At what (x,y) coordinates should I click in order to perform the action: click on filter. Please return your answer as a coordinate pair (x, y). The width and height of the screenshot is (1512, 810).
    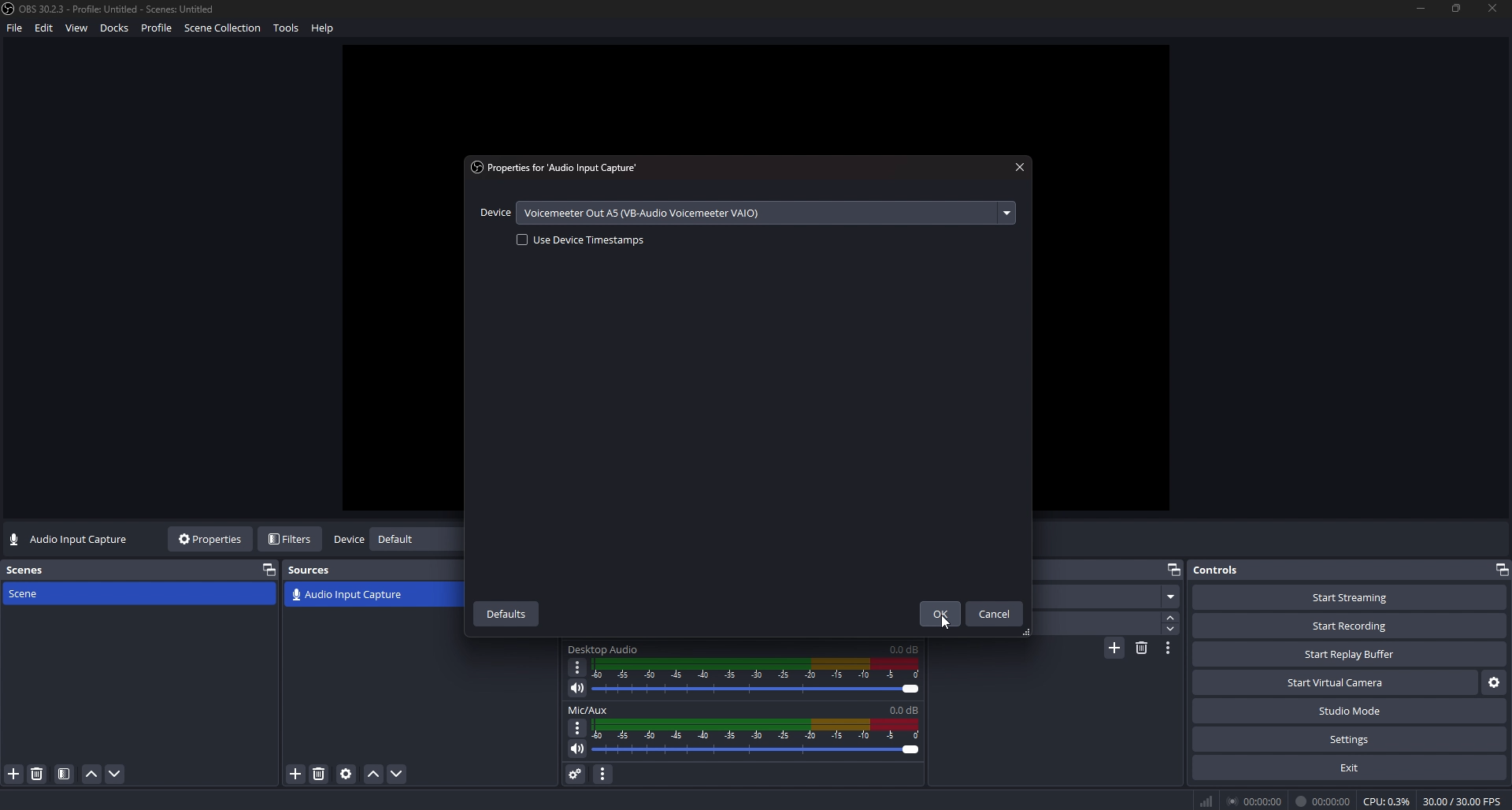
    Looking at the image, I should click on (65, 775).